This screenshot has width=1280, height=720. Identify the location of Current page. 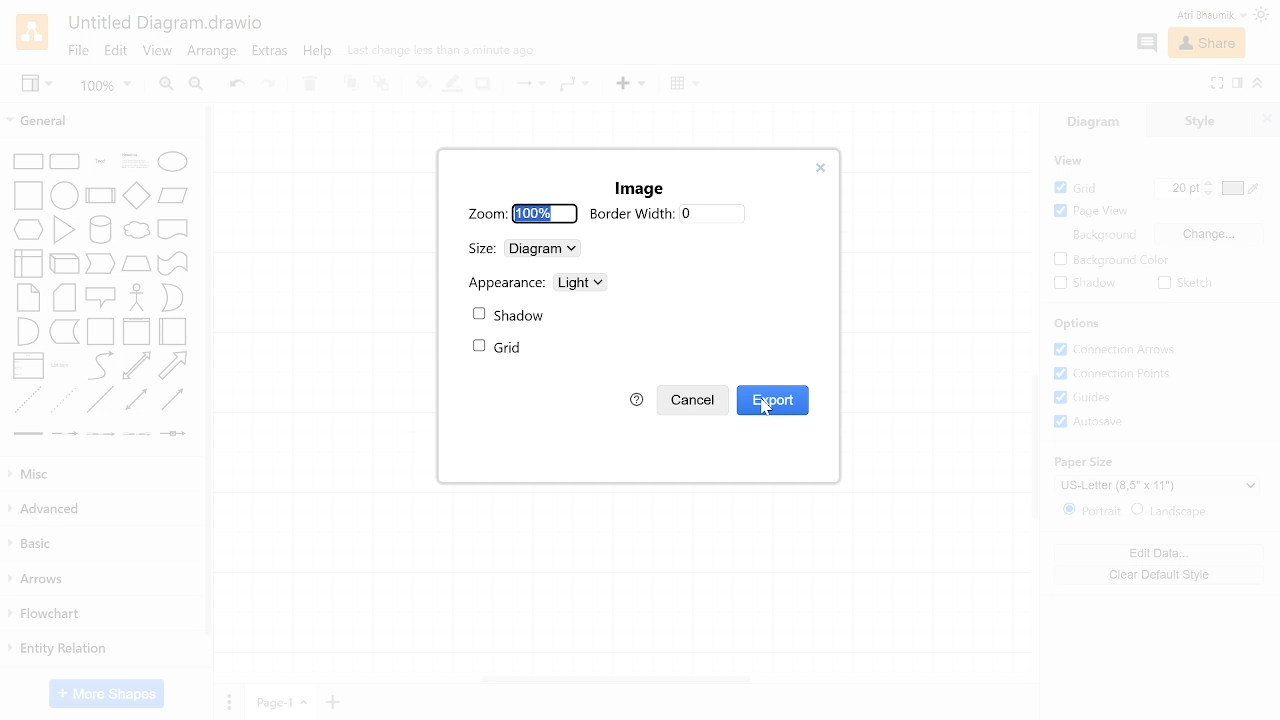
(278, 701).